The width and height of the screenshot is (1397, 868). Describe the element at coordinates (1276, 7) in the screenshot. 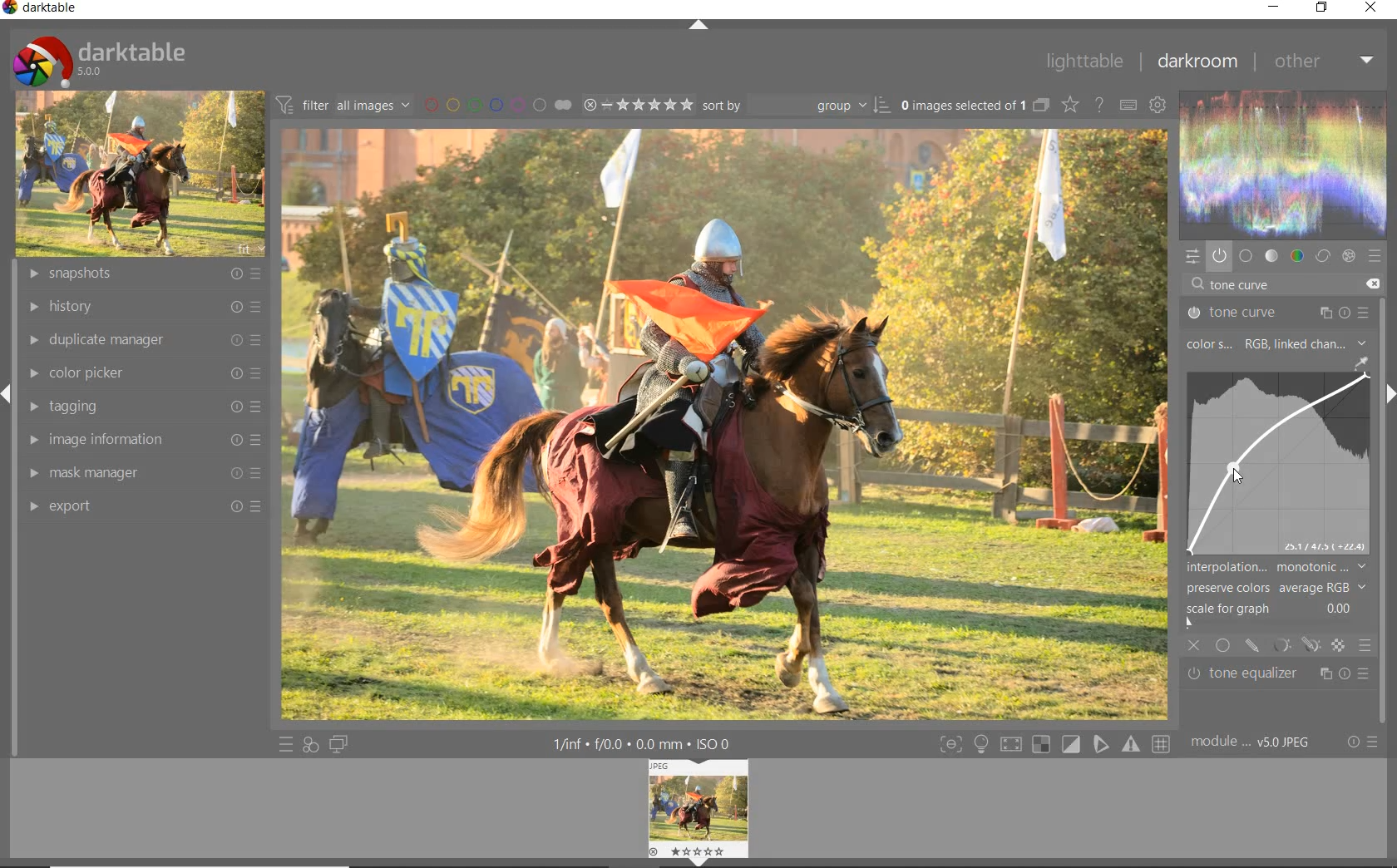

I see `minimize` at that location.